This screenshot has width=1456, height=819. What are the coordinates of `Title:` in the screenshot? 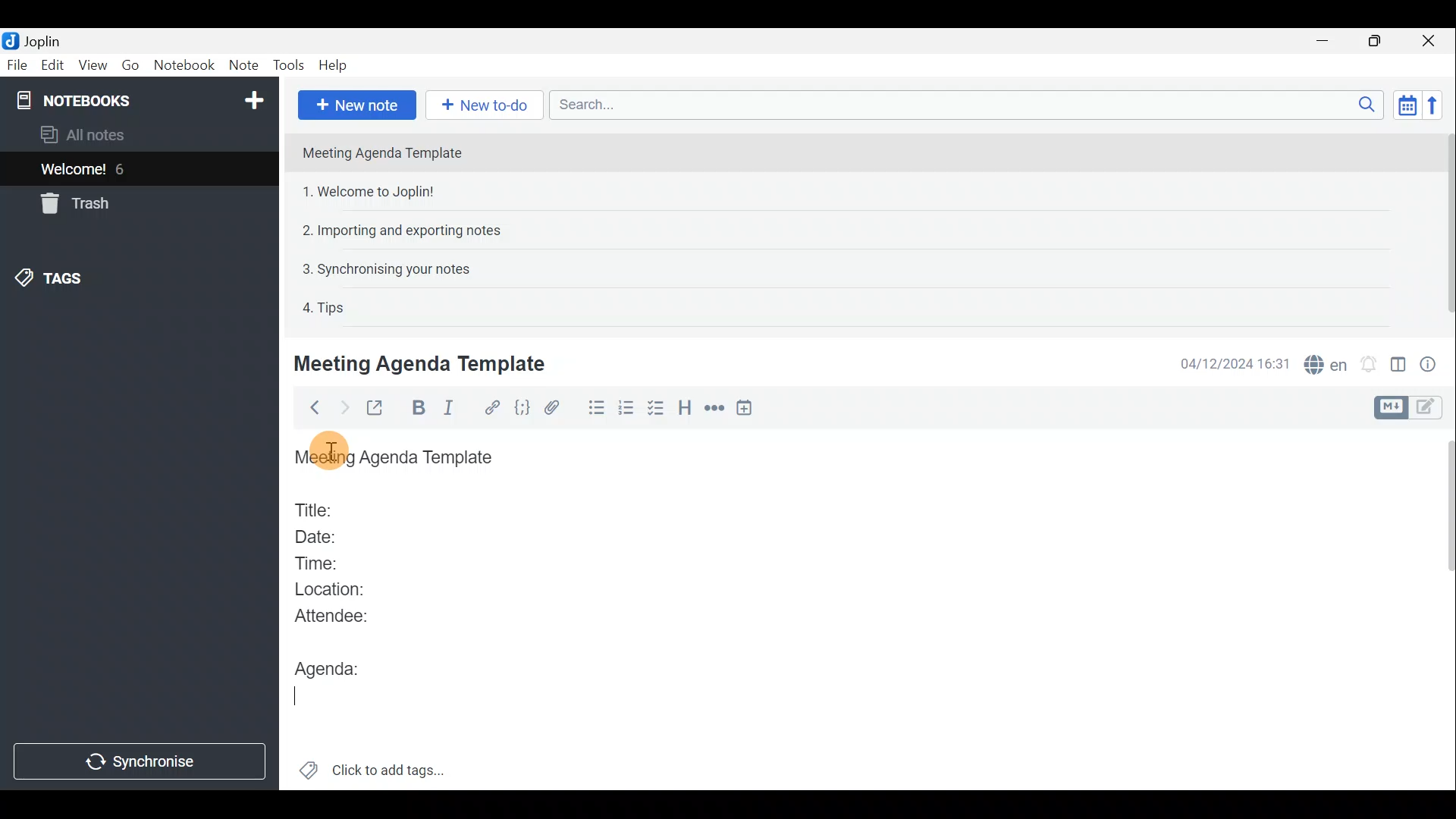 It's located at (316, 507).